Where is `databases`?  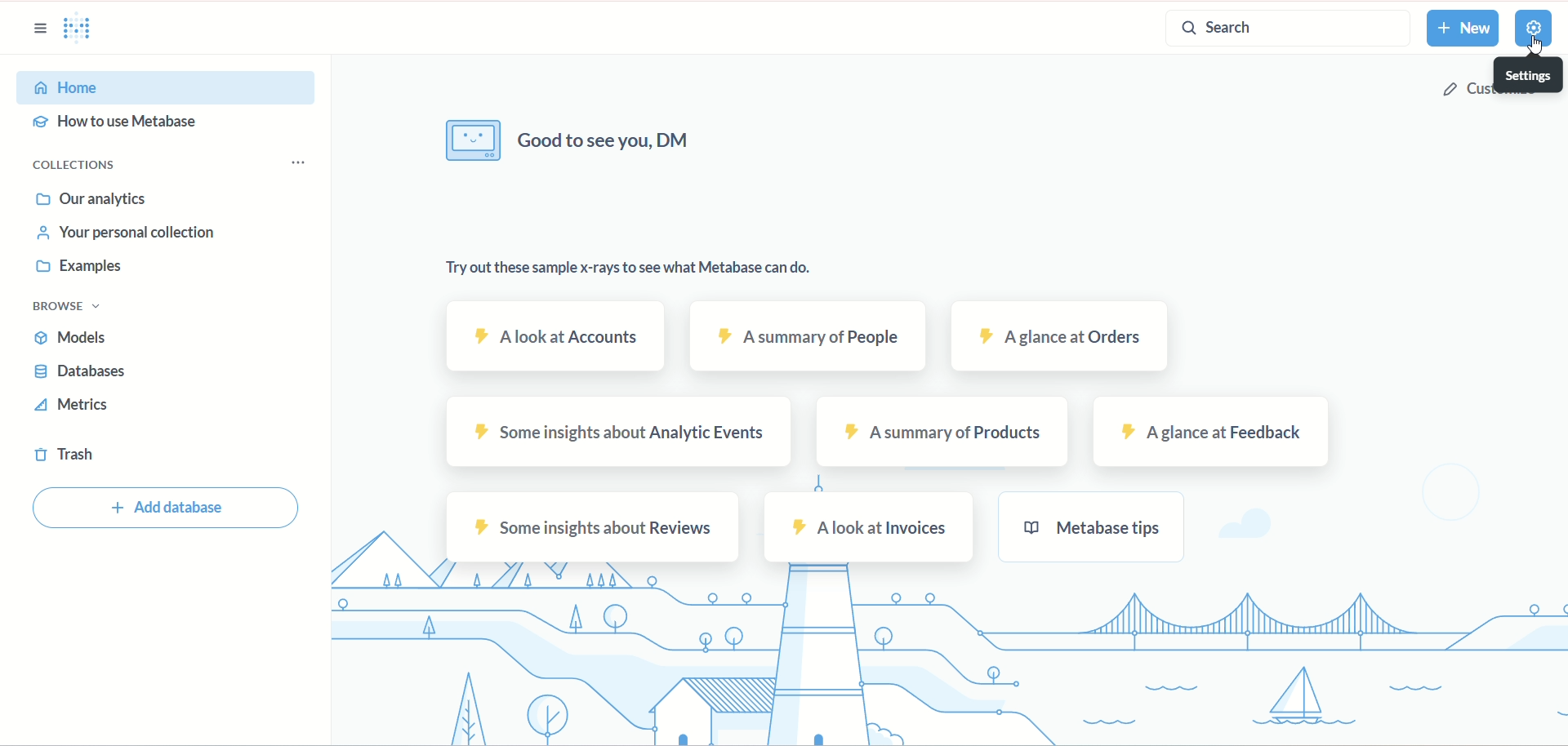
databases is located at coordinates (79, 374).